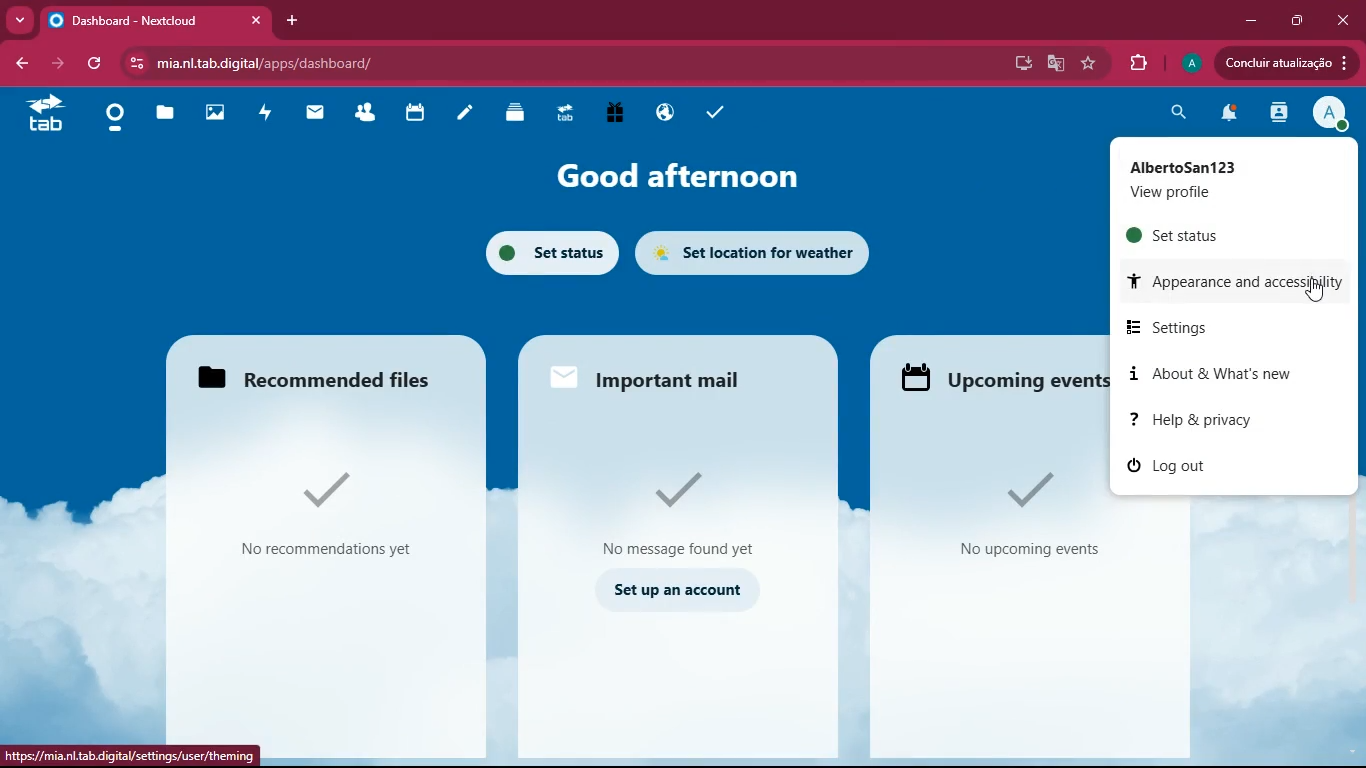 The height and width of the screenshot is (768, 1366). What do you see at coordinates (653, 379) in the screenshot?
I see `mail` at bounding box center [653, 379].